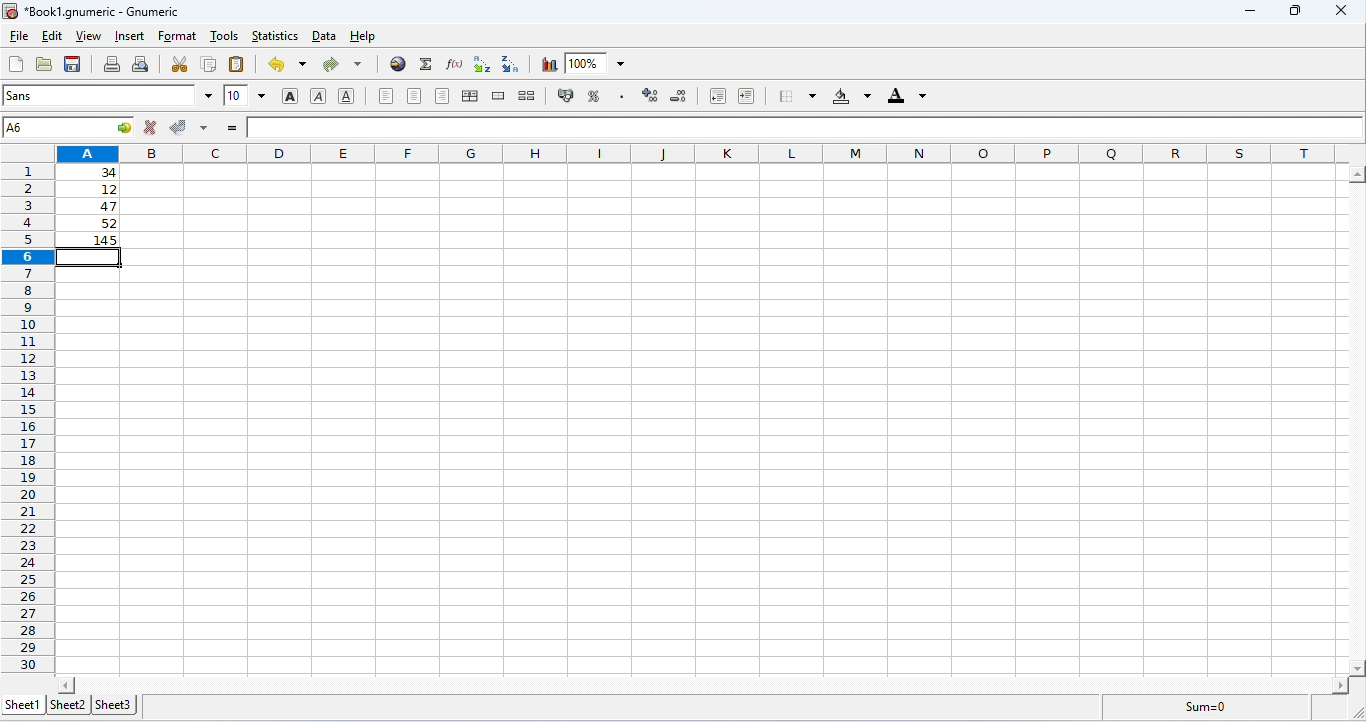  I want to click on align center, so click(414, 96).